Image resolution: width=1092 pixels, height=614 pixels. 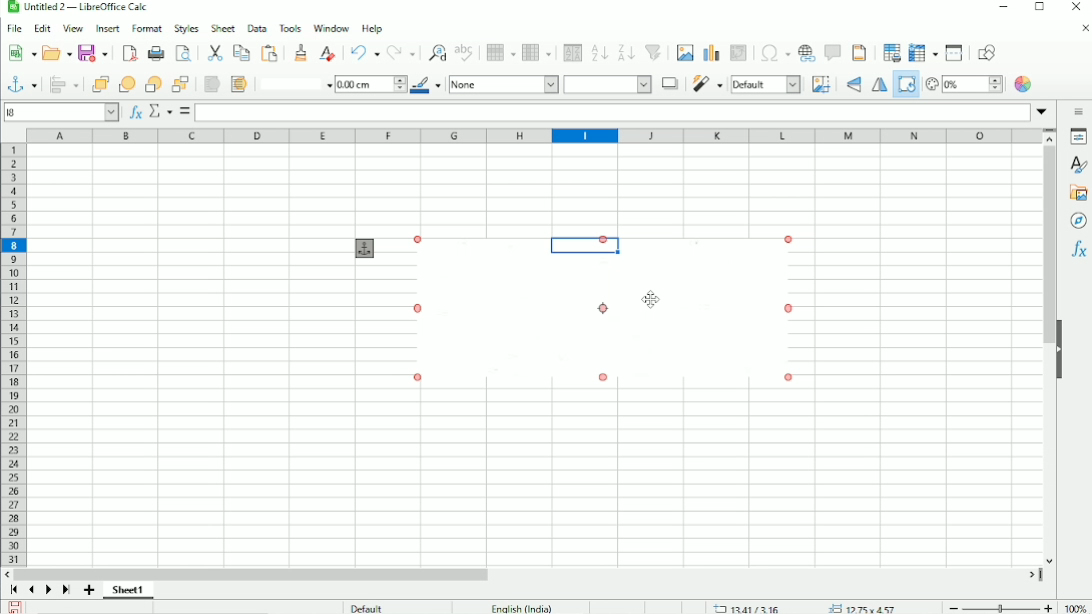 I want to click on Line color, so click(x=426, y=84).